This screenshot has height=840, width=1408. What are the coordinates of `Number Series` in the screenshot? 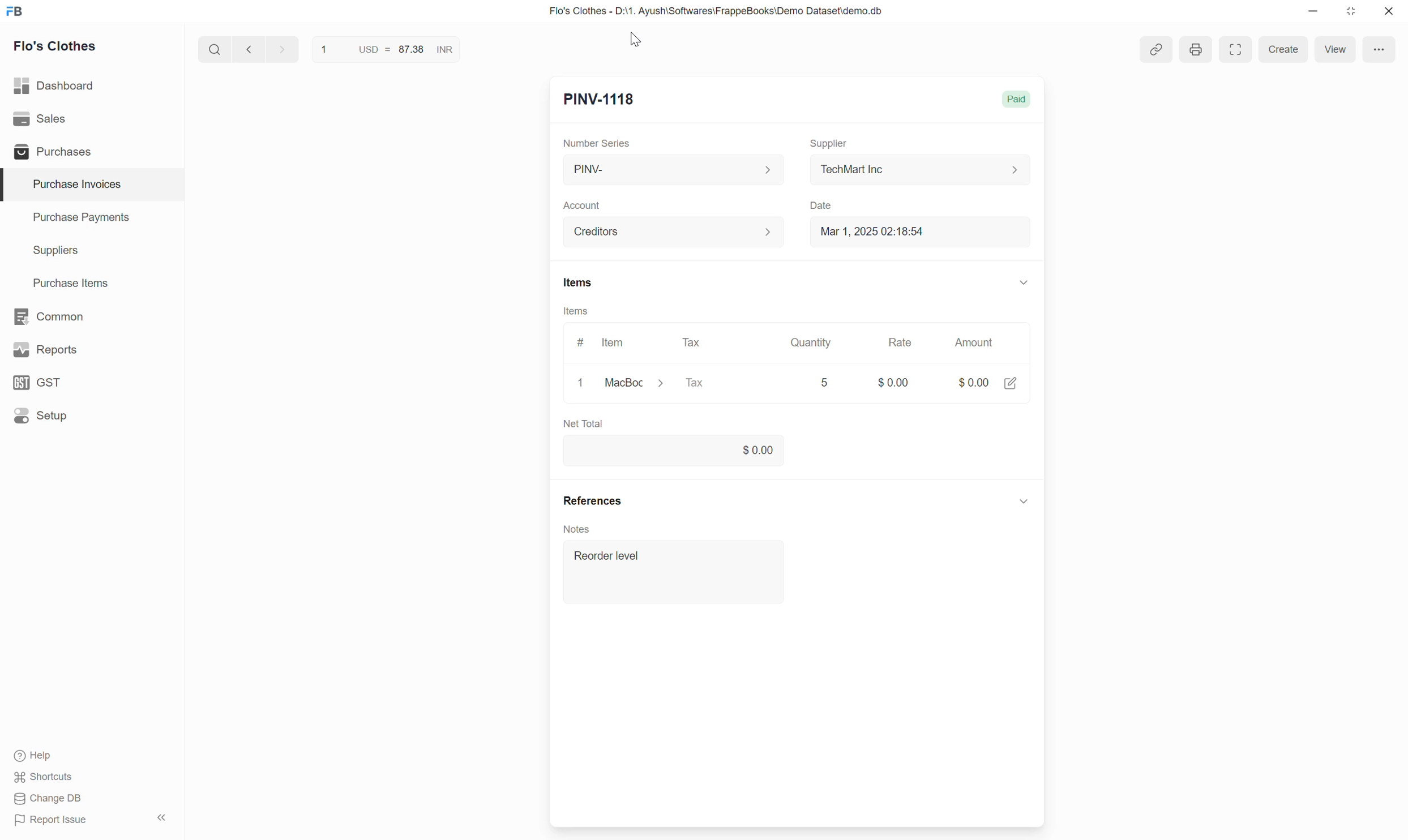 It's located at (597, 143).